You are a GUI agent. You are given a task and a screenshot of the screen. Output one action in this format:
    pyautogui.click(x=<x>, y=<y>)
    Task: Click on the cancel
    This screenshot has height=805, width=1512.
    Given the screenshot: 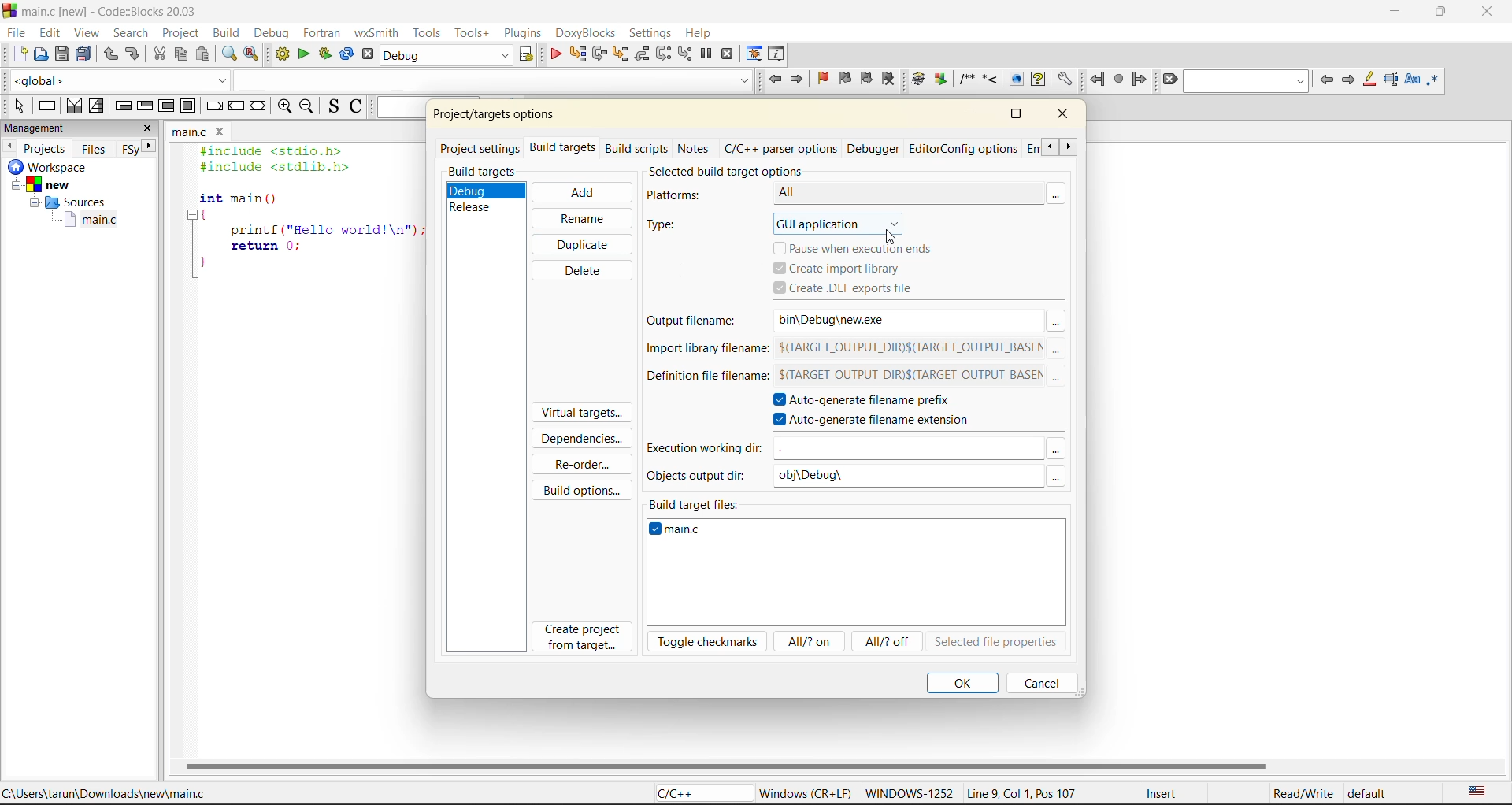 What is the action you would take?
    pyautogui.click(x=1039, y=682)
    